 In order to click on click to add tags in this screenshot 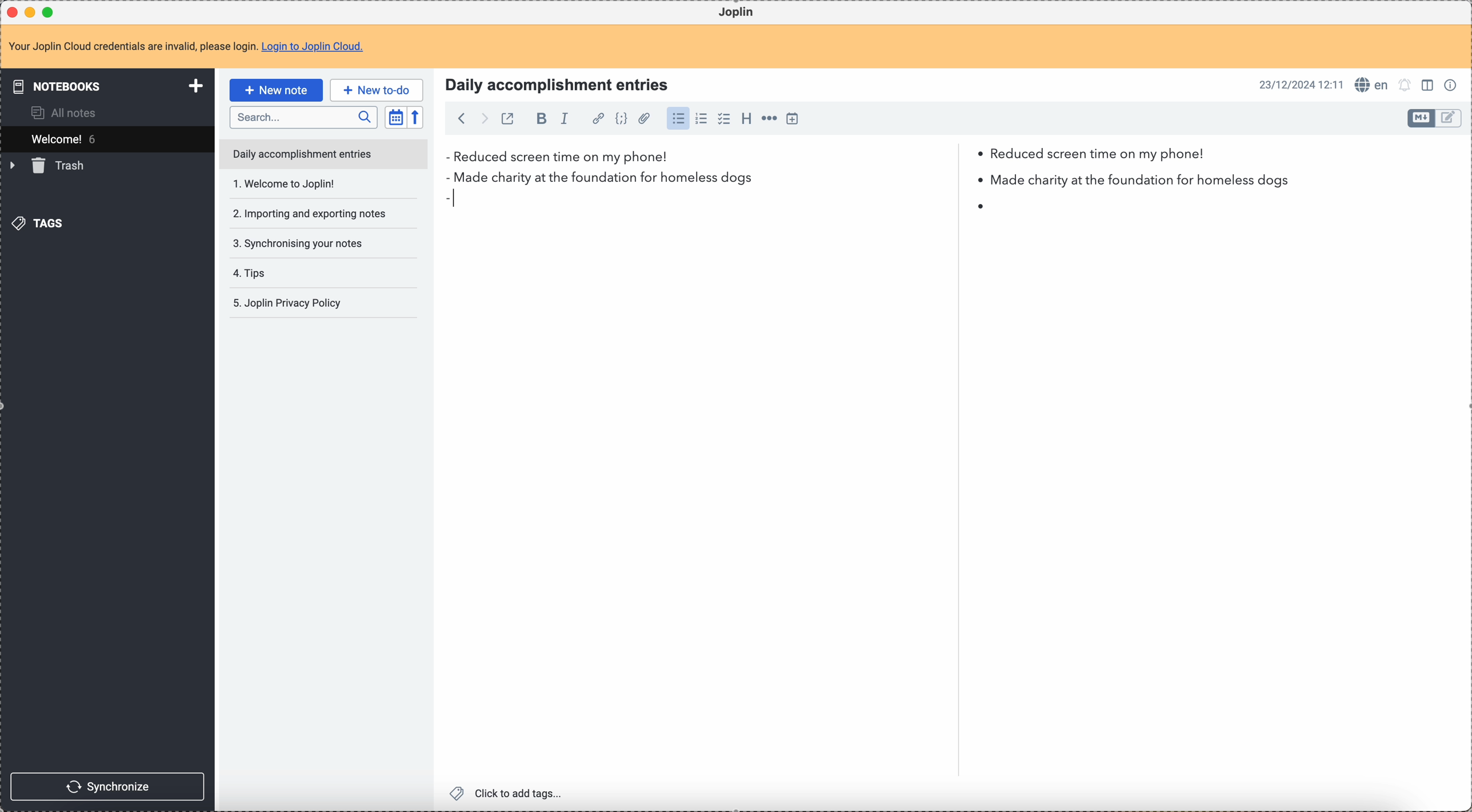, I will do `click(508, 794)`.